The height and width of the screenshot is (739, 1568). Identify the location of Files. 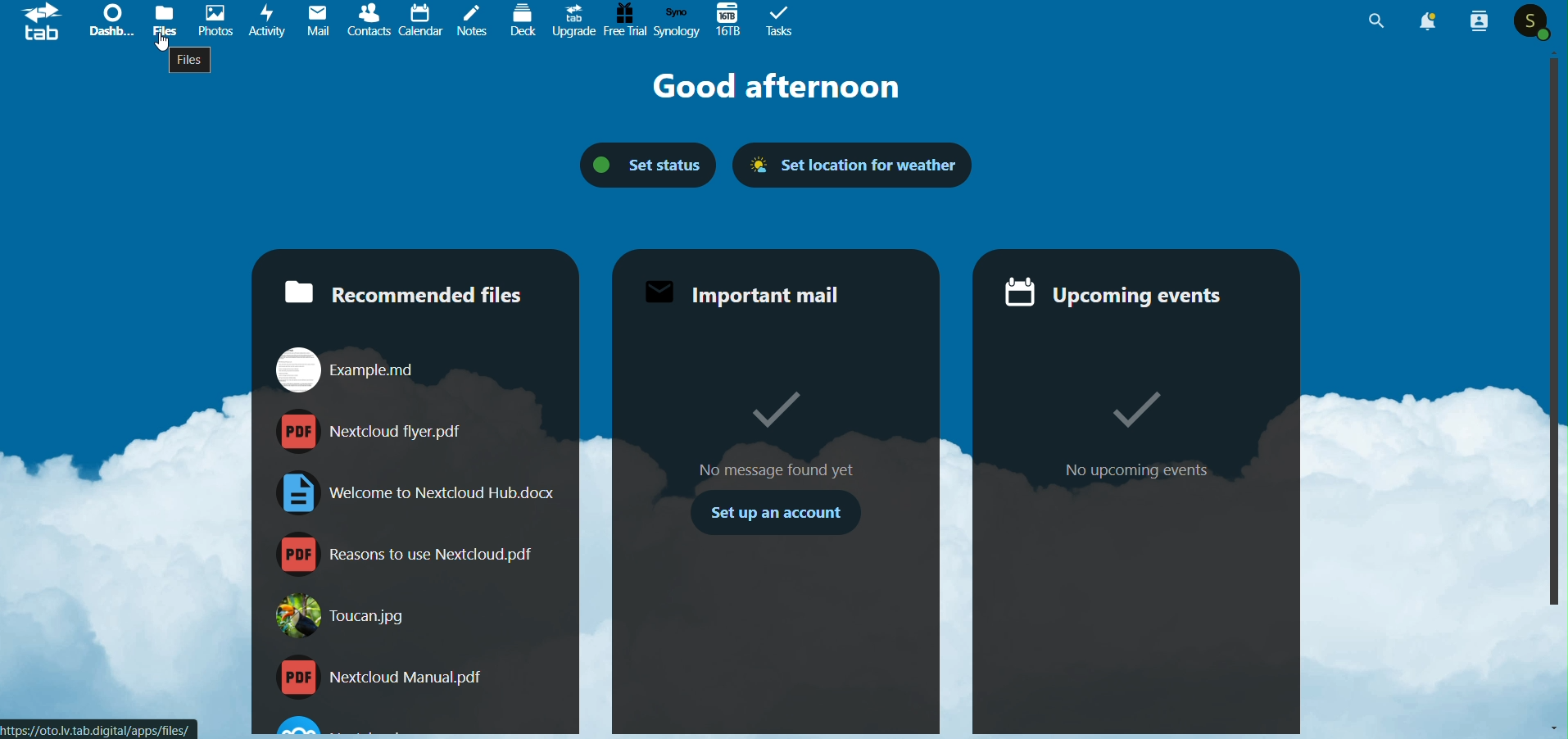
(195, 61).